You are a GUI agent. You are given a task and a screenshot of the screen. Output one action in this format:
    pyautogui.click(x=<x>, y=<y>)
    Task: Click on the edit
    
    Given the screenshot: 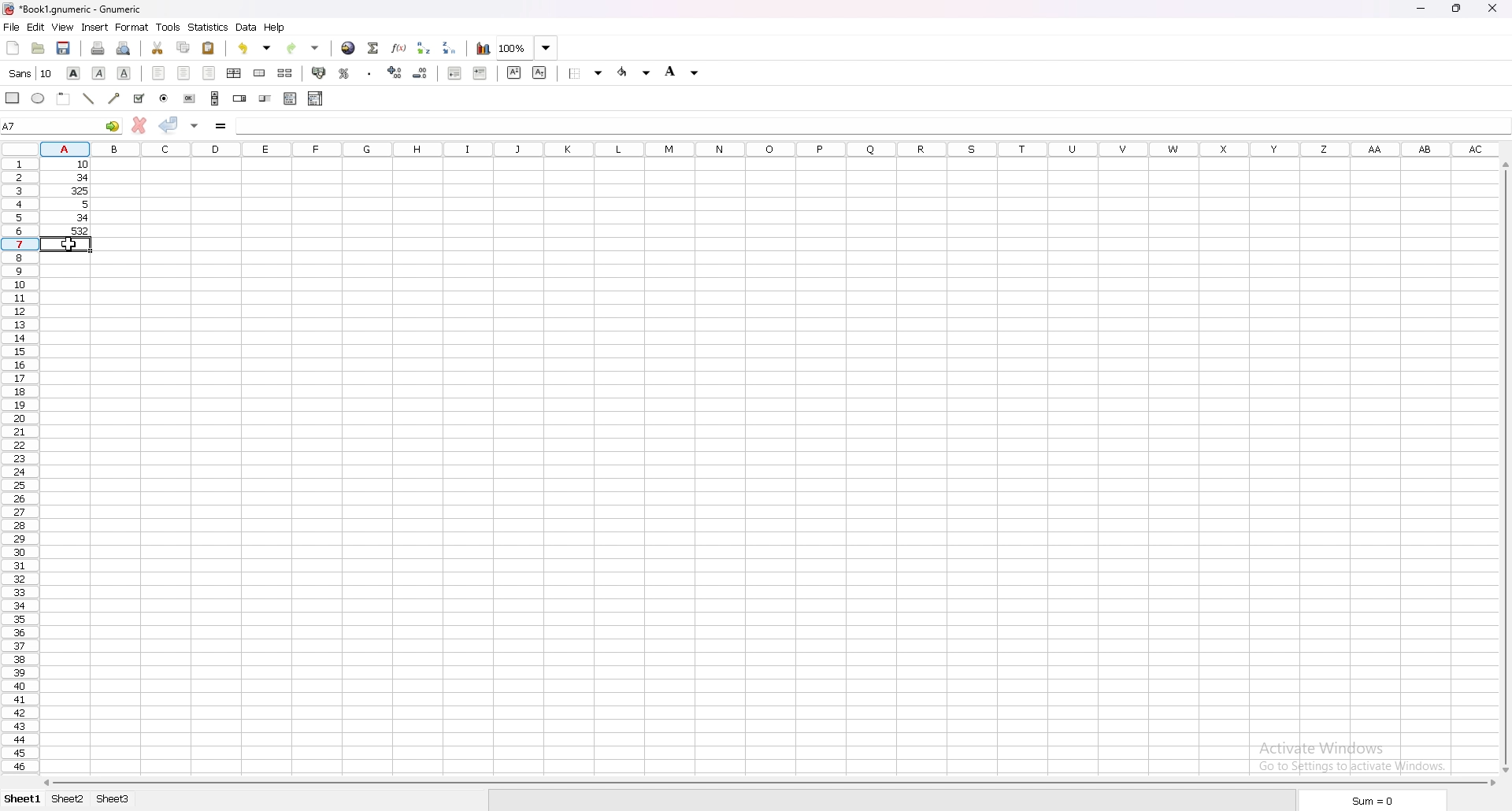 What is the action you would take?
    pyautogui.click(x=35, y=28)
    